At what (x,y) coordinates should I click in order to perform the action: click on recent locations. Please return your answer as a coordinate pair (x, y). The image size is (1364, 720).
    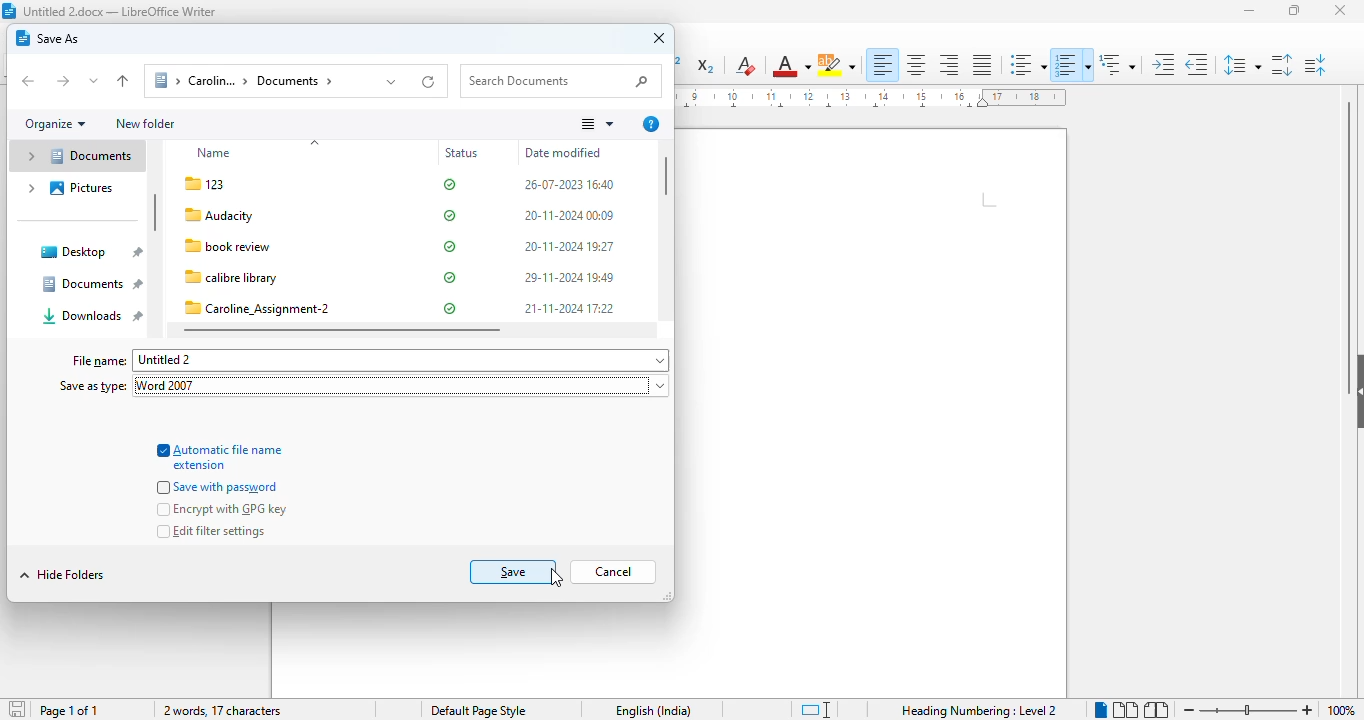
    Looking at the image, I should click on (94, 81).